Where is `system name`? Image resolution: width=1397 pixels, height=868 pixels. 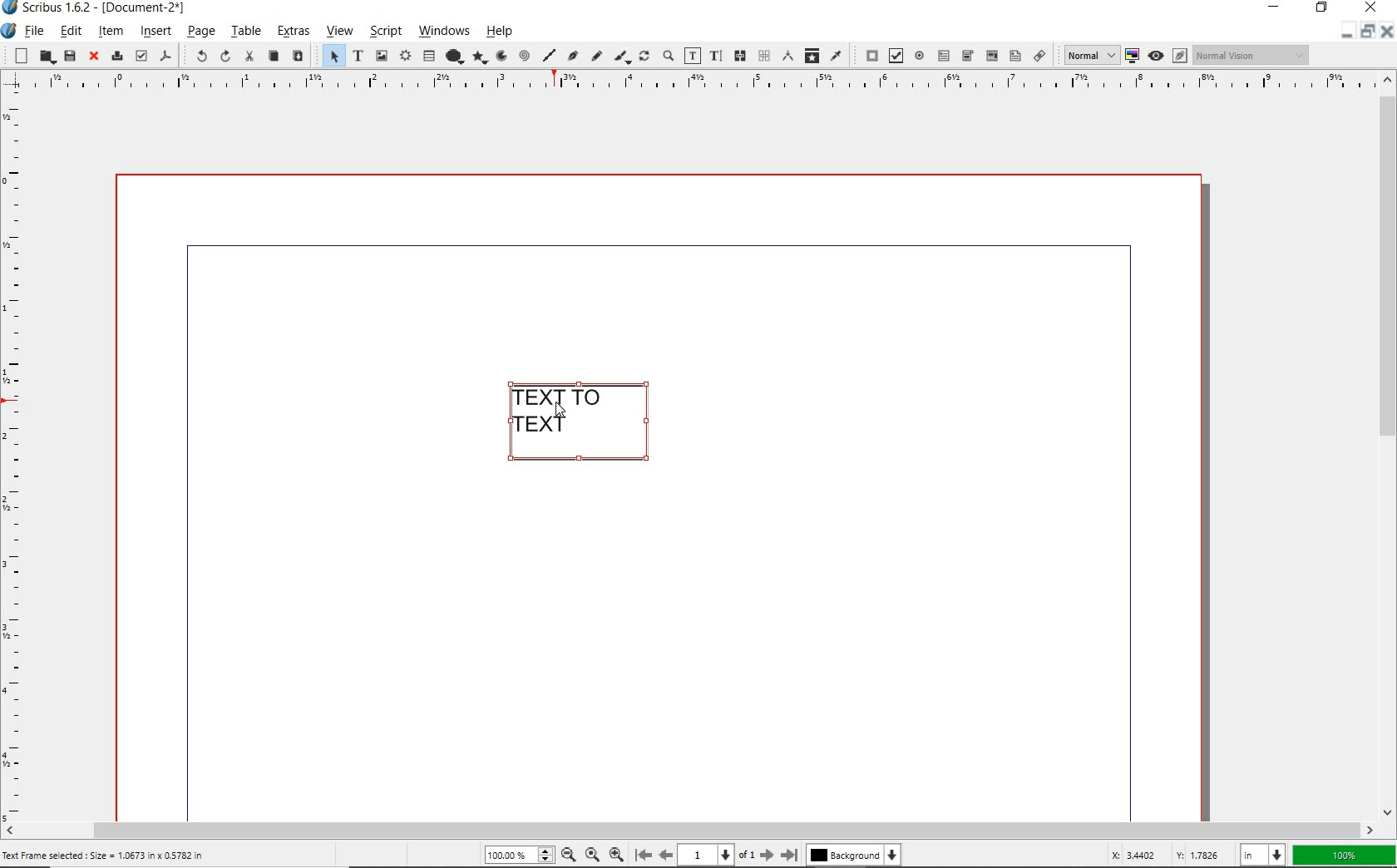 system name is located at coordinates (107, 8).